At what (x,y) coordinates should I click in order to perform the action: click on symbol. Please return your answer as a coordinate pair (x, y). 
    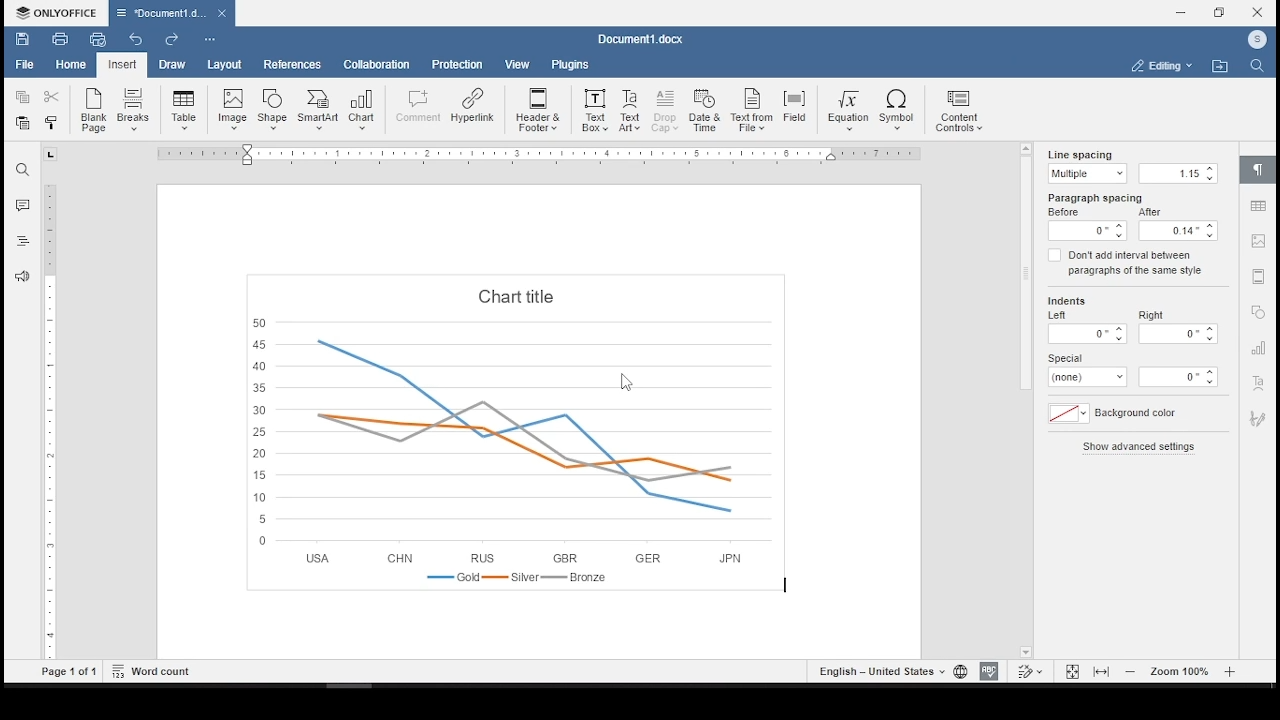
    Looking at the image, I should click on (899, 111).